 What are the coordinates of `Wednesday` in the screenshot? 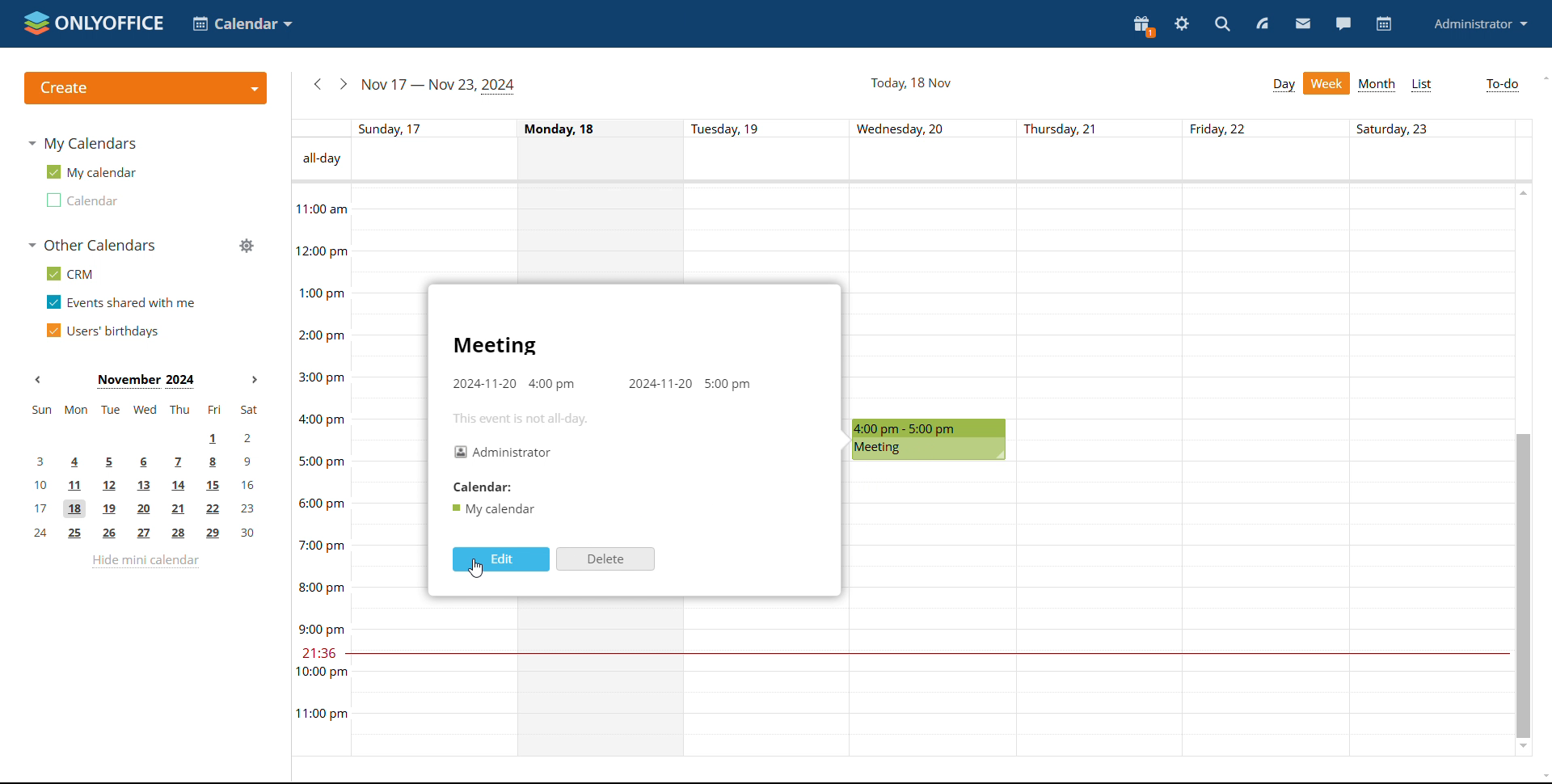 It's located at (931, 300).